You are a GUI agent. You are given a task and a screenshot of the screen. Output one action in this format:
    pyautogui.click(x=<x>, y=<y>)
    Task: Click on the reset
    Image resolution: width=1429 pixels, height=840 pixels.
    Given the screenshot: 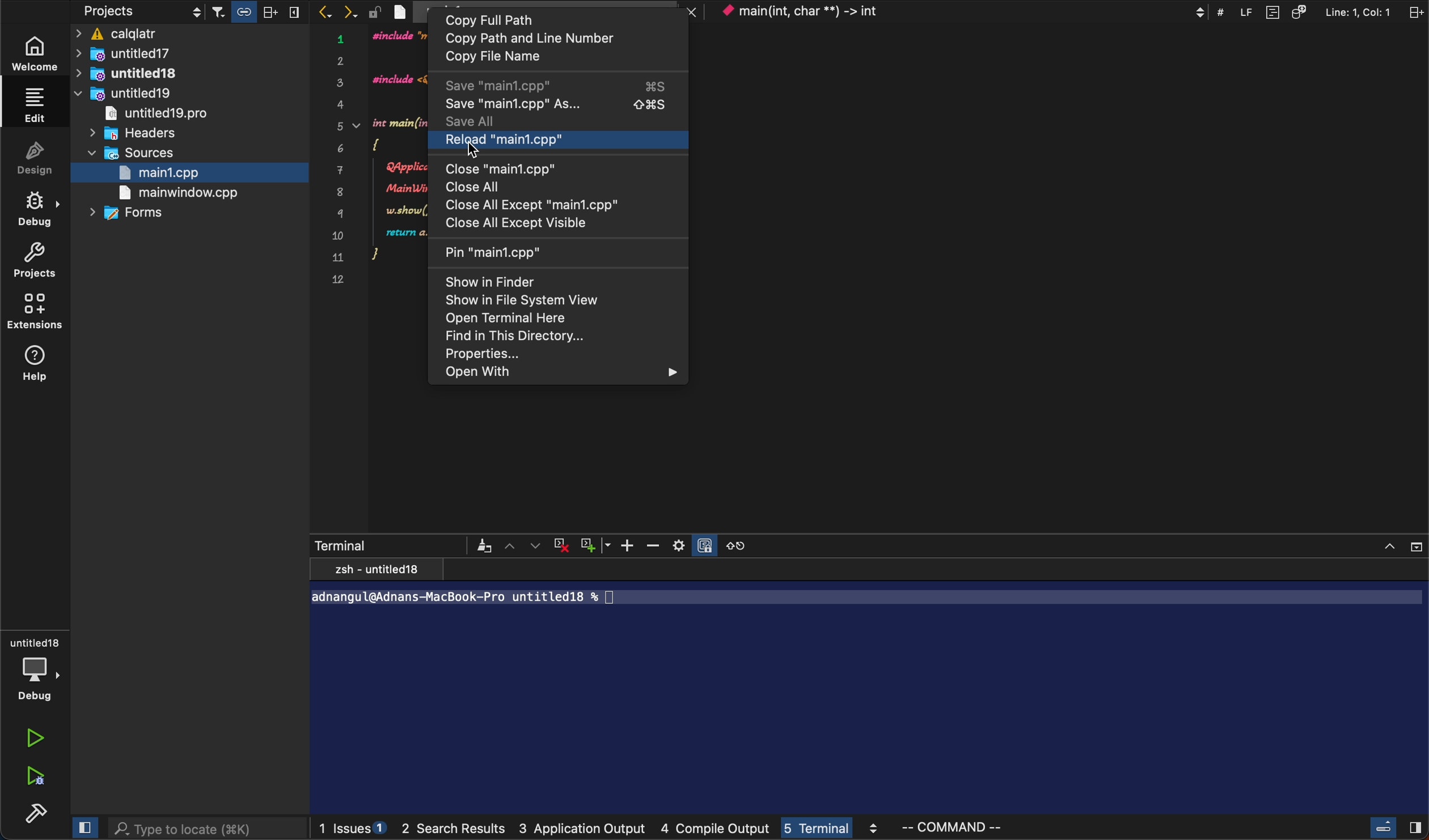 What is the action you would take?
    pyautogui.click(x=748, y=545)
    